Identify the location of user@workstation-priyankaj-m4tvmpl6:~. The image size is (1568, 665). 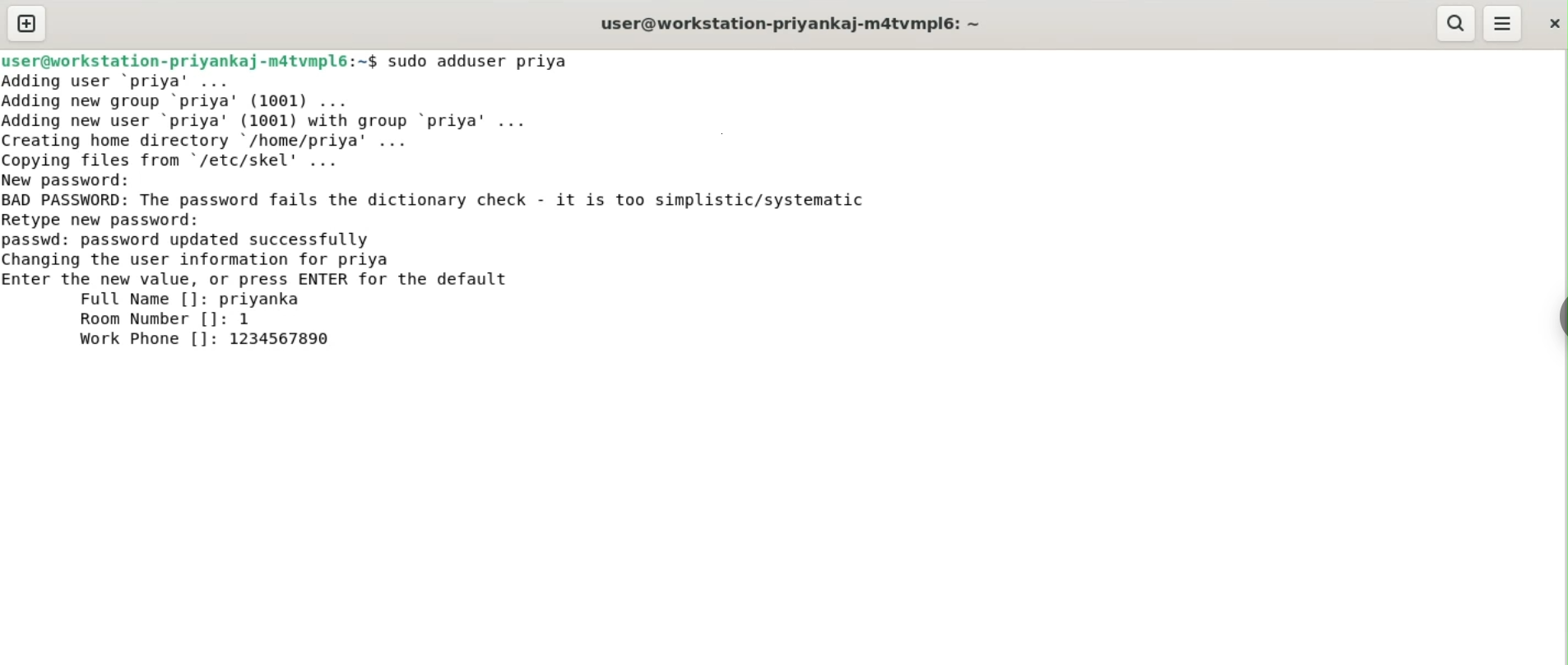
(787, 23).